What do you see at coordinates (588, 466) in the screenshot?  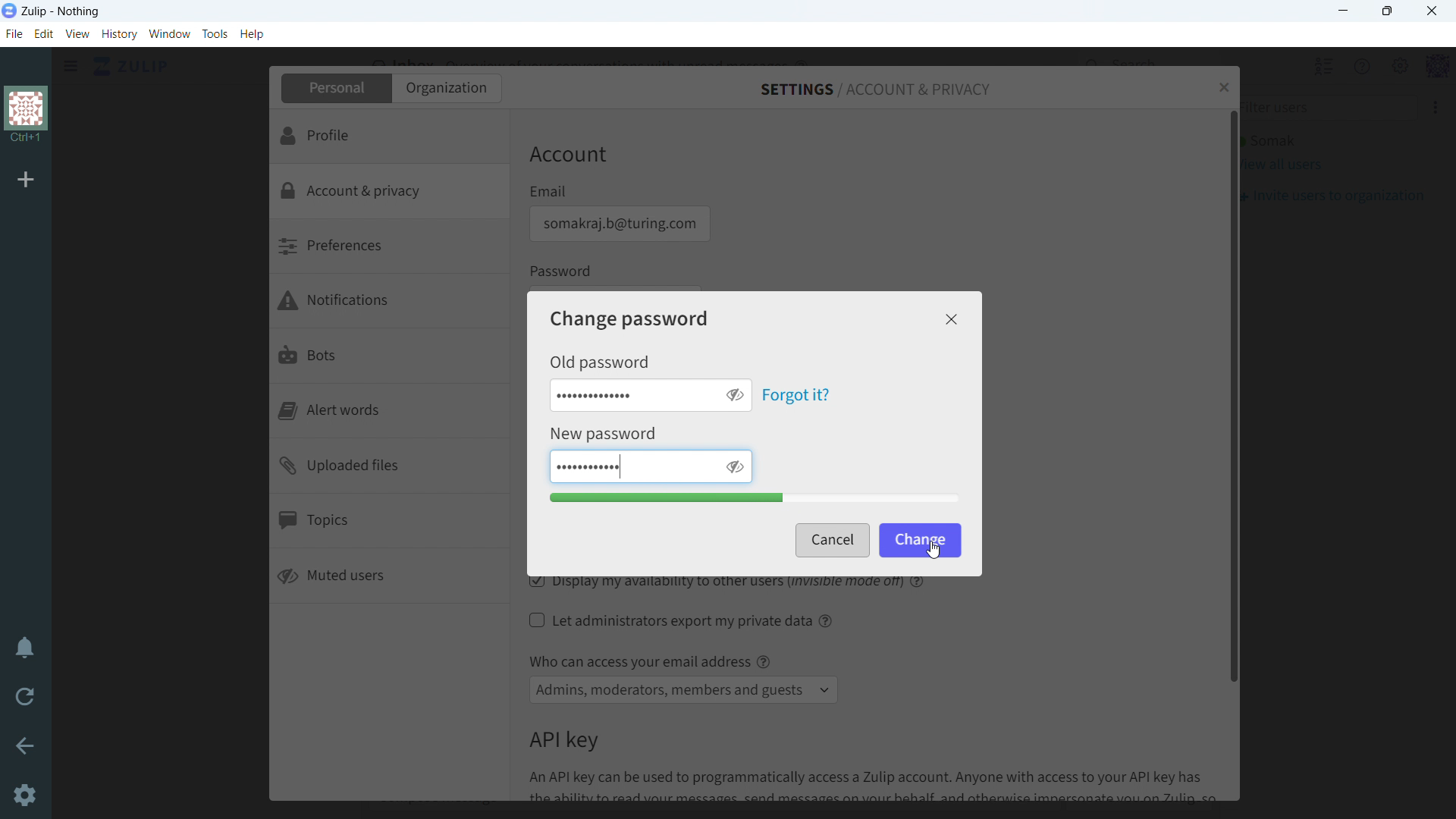 I see `new password entered` at bounding box center [588, 466].